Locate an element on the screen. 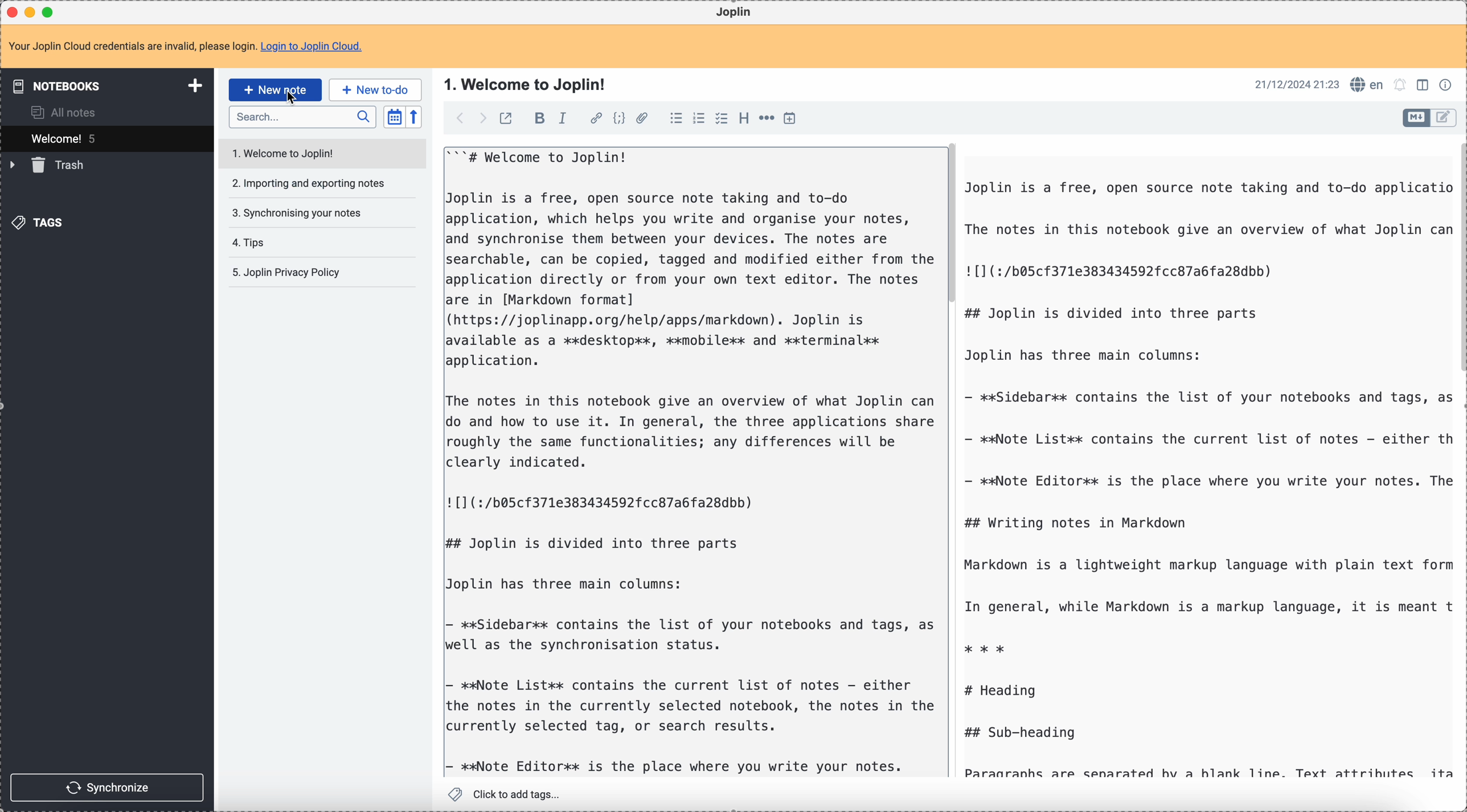 The image size is (1467, 812). reverse sort order is located at coordinates (416, 117).